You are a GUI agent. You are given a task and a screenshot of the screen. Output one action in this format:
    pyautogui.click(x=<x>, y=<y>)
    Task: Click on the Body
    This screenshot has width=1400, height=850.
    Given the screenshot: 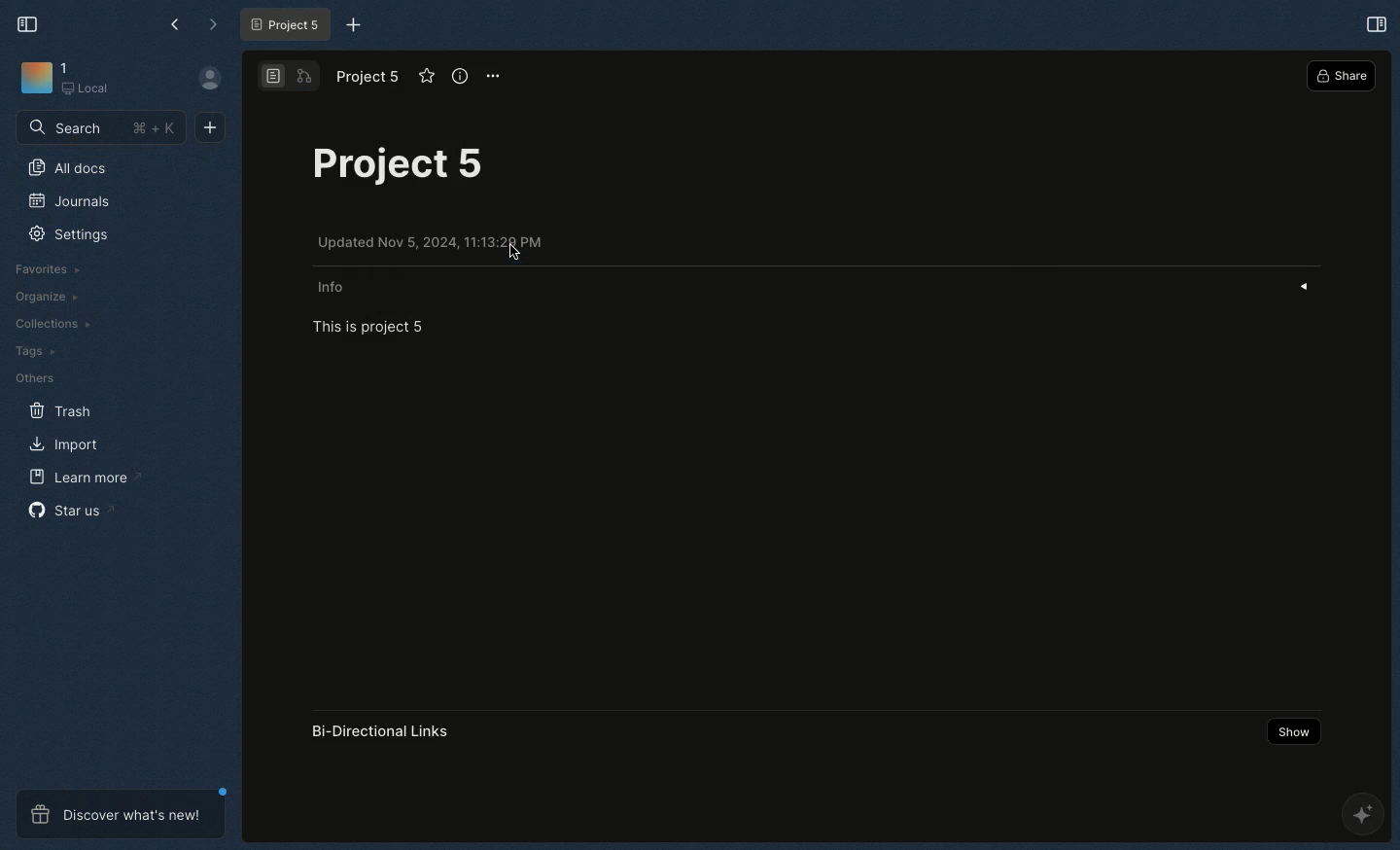 What is the action you would take?
    pyautogui.click(x=375, y=331)
    